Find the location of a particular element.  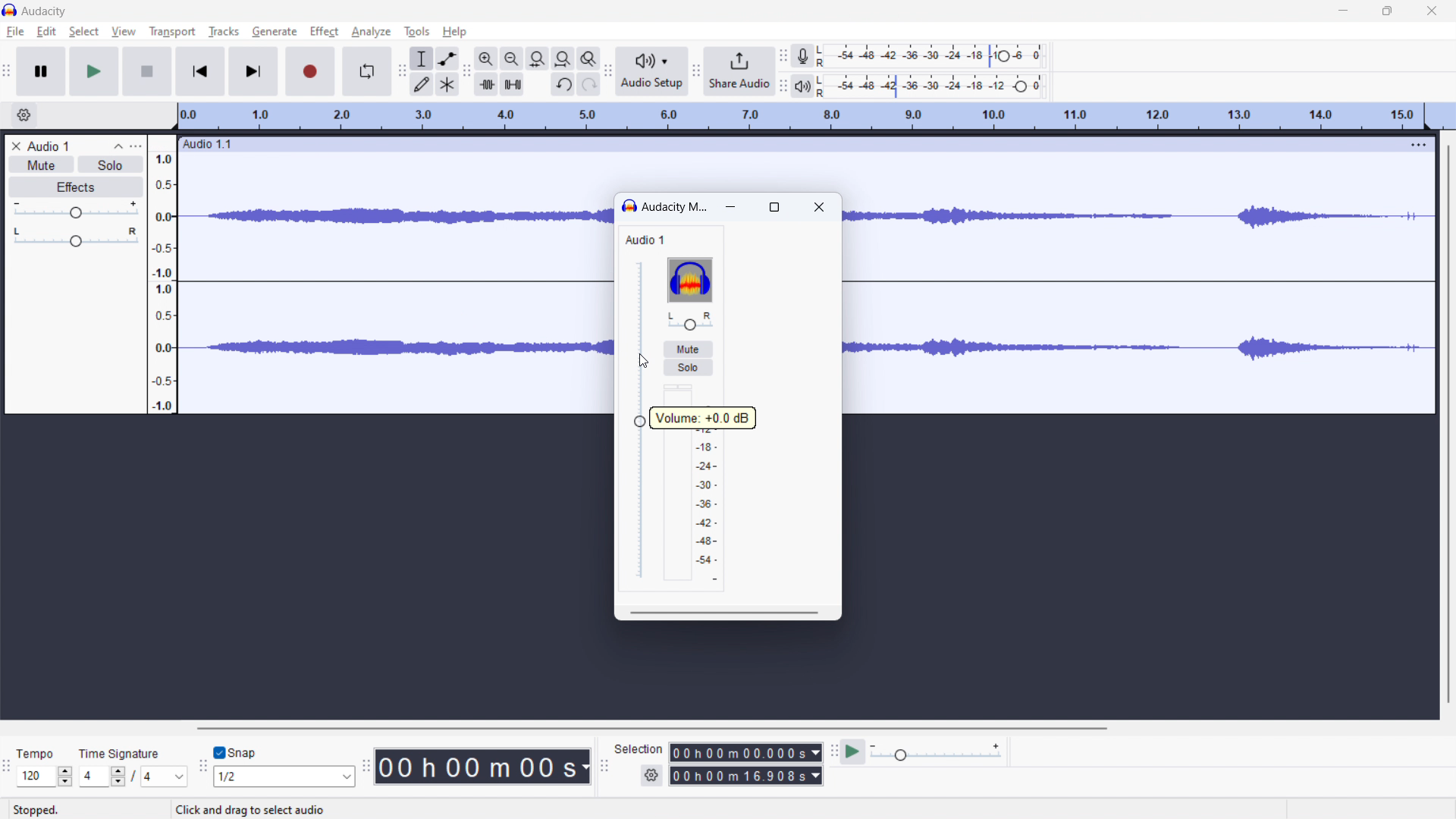

volume 0 db is located at coordinates (703, 419).